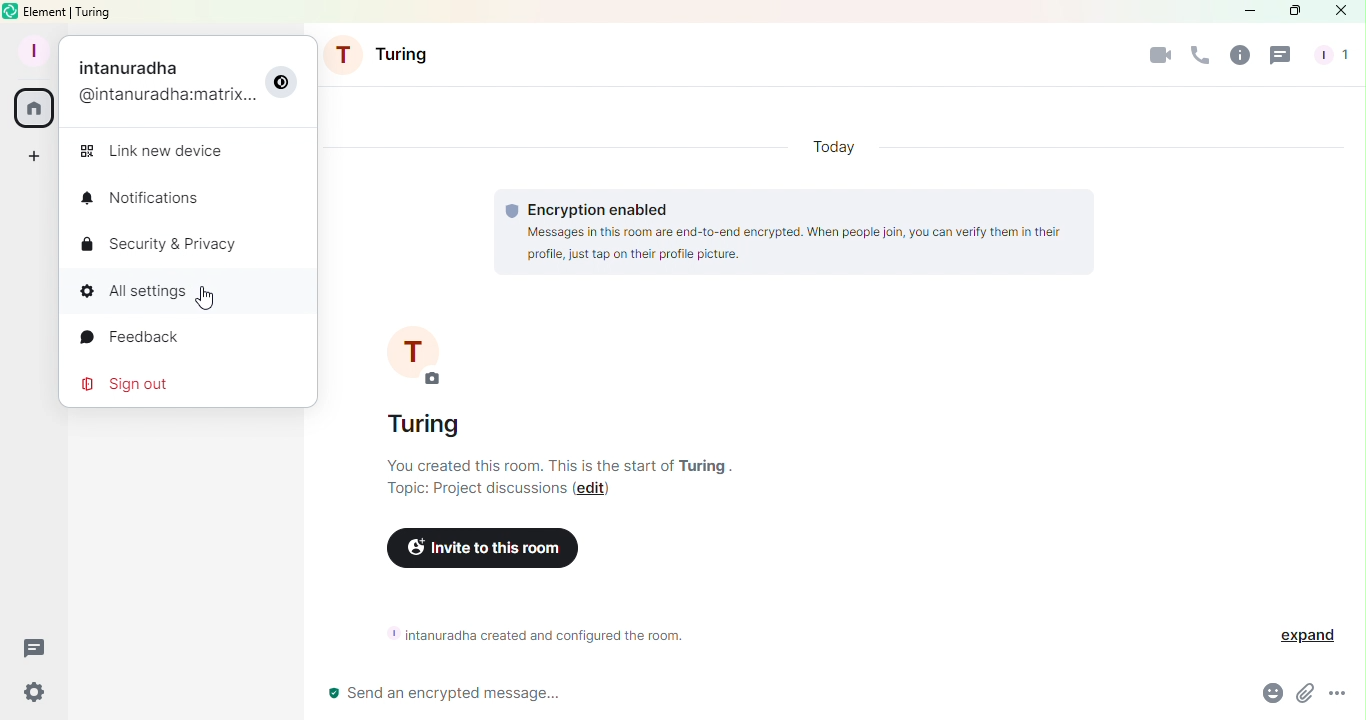 This screenshot has width=1366, height=720. What do you see at coordinates (203, 299) in the screenshot?
I see `Pointer` at bounding box center [203, 299].